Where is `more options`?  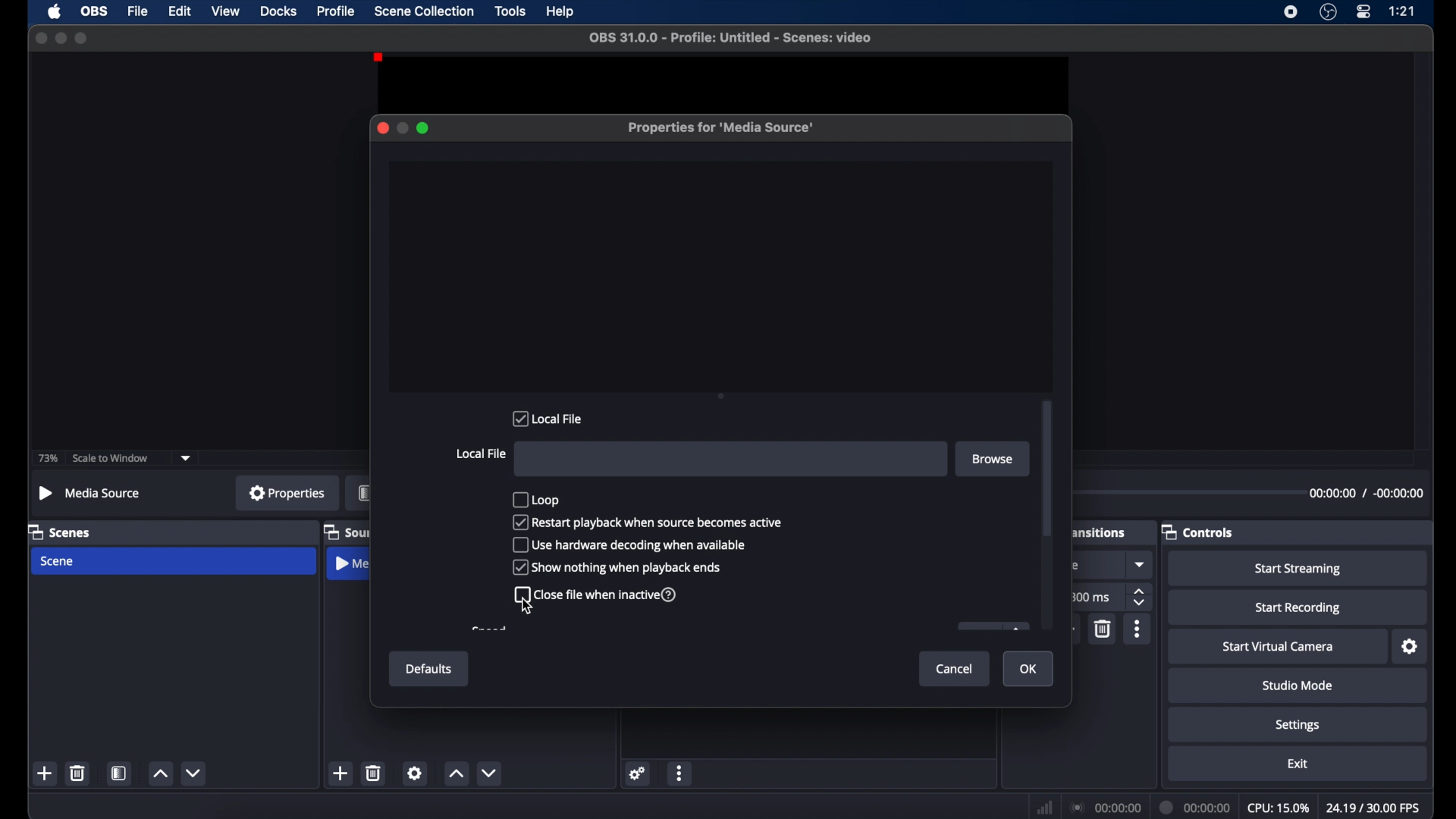
more options is located at coordinates (1138, 629).